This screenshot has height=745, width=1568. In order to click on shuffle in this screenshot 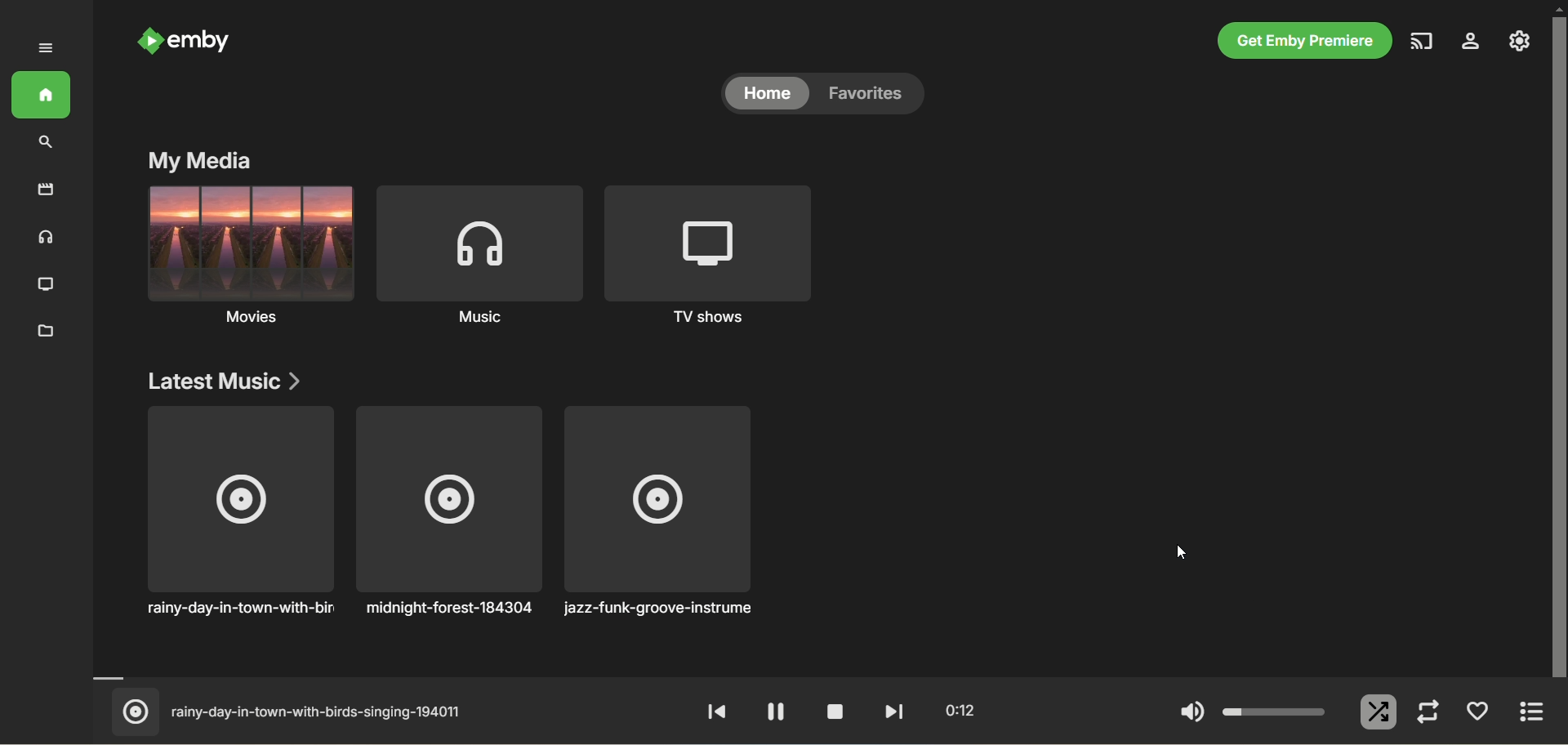, I will do `click(1378, 711)`.